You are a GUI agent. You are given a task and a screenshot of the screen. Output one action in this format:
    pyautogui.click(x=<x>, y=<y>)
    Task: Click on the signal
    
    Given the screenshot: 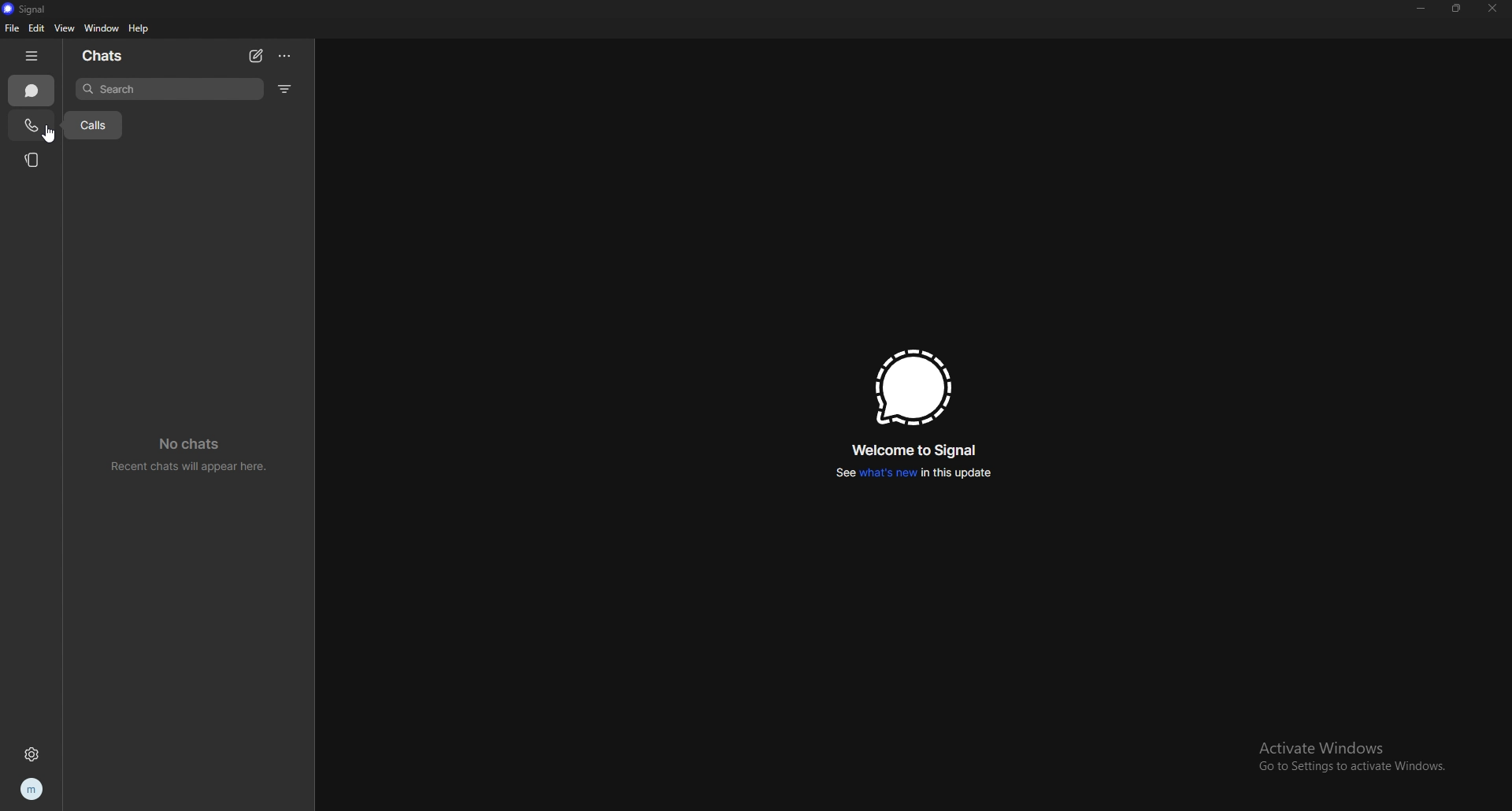 What is the action you would take?
    pyautogui.click(x=31, y=9)
    